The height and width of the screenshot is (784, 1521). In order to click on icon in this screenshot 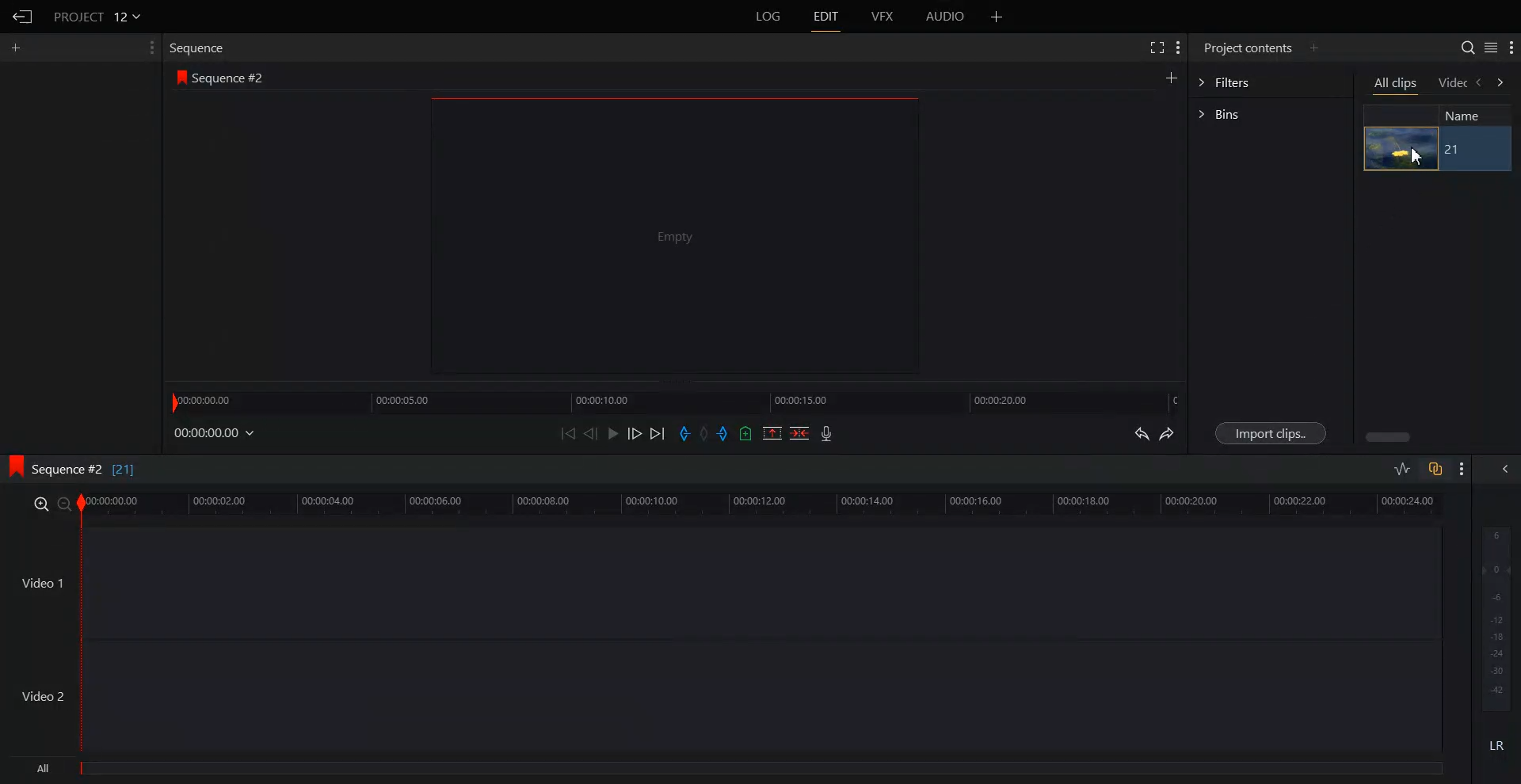, I will do `click(14, 466)`.